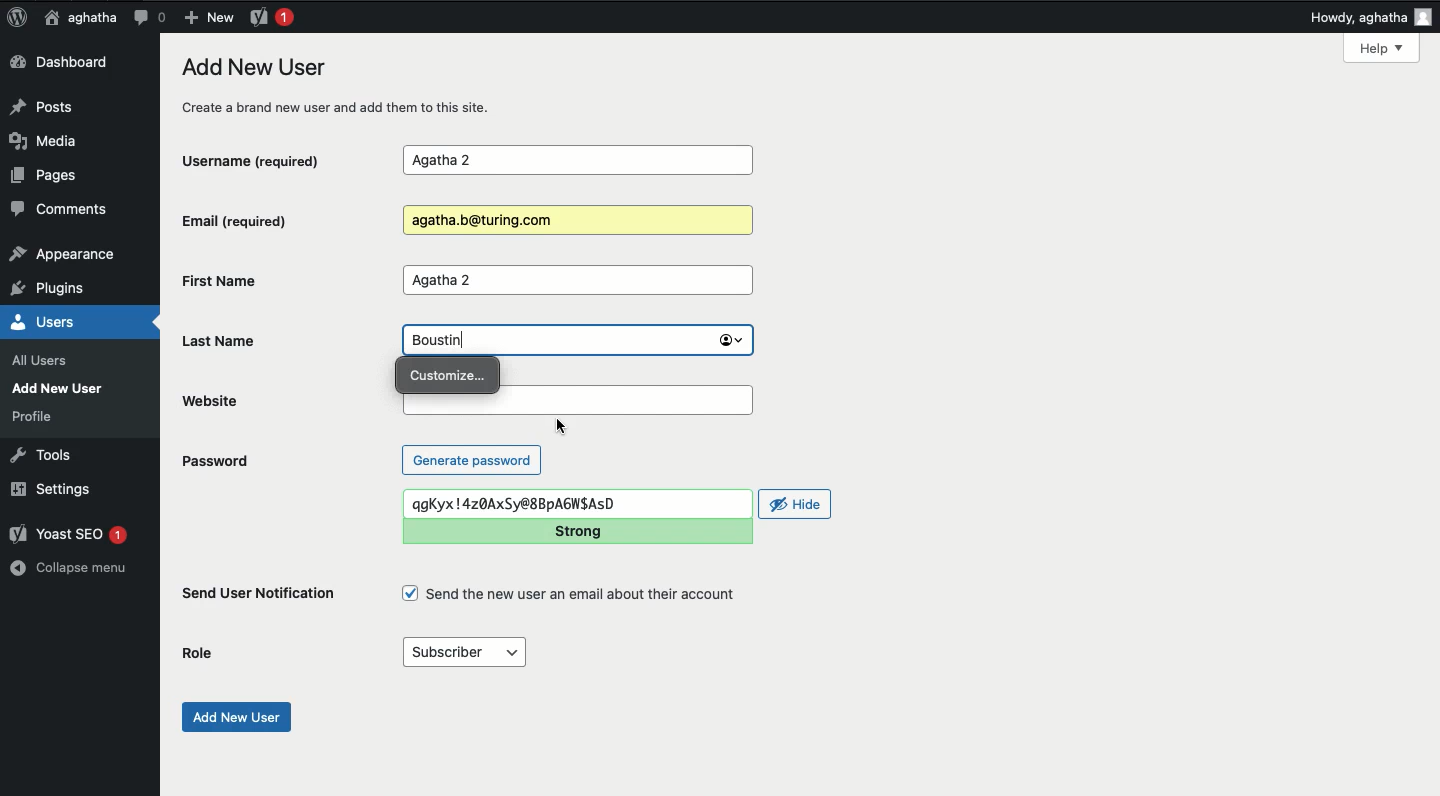 This screenshot has width=1440, height=796. I want to click on Add new user, so click(234, 717).